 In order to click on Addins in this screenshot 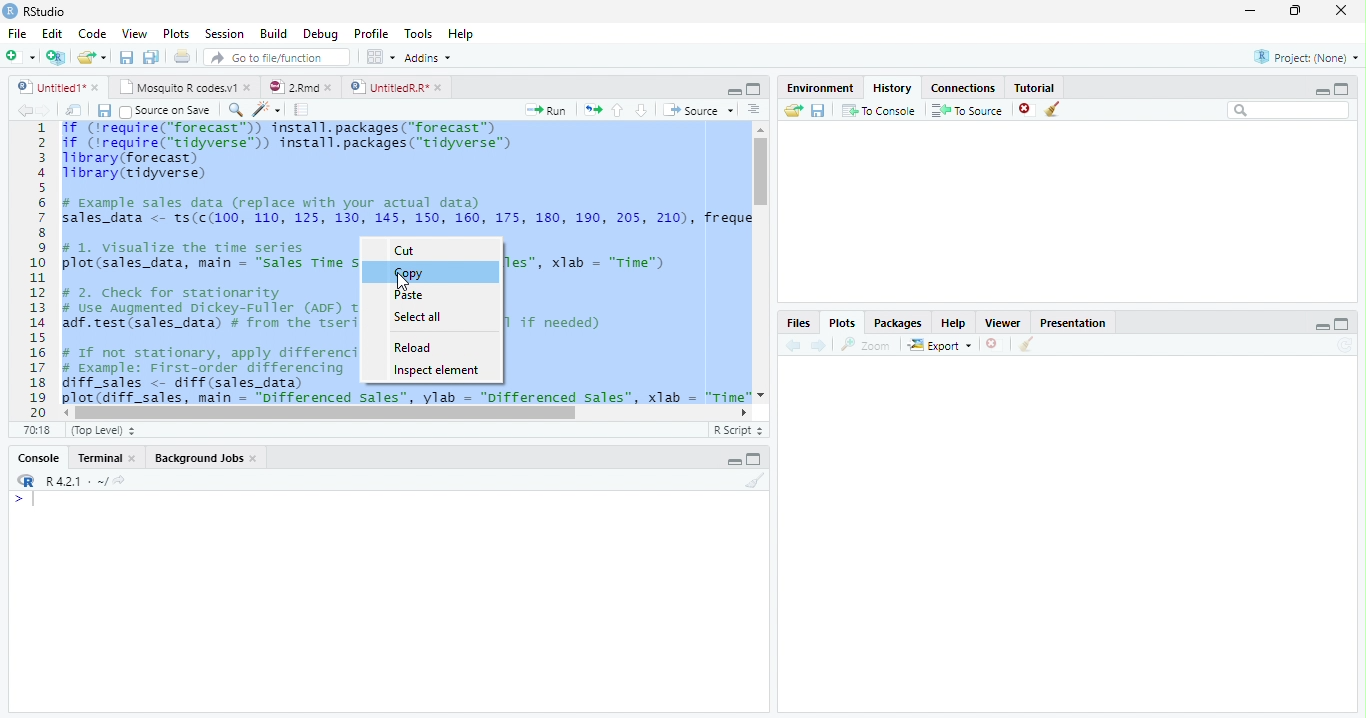, I will do `click(430, 57)`.